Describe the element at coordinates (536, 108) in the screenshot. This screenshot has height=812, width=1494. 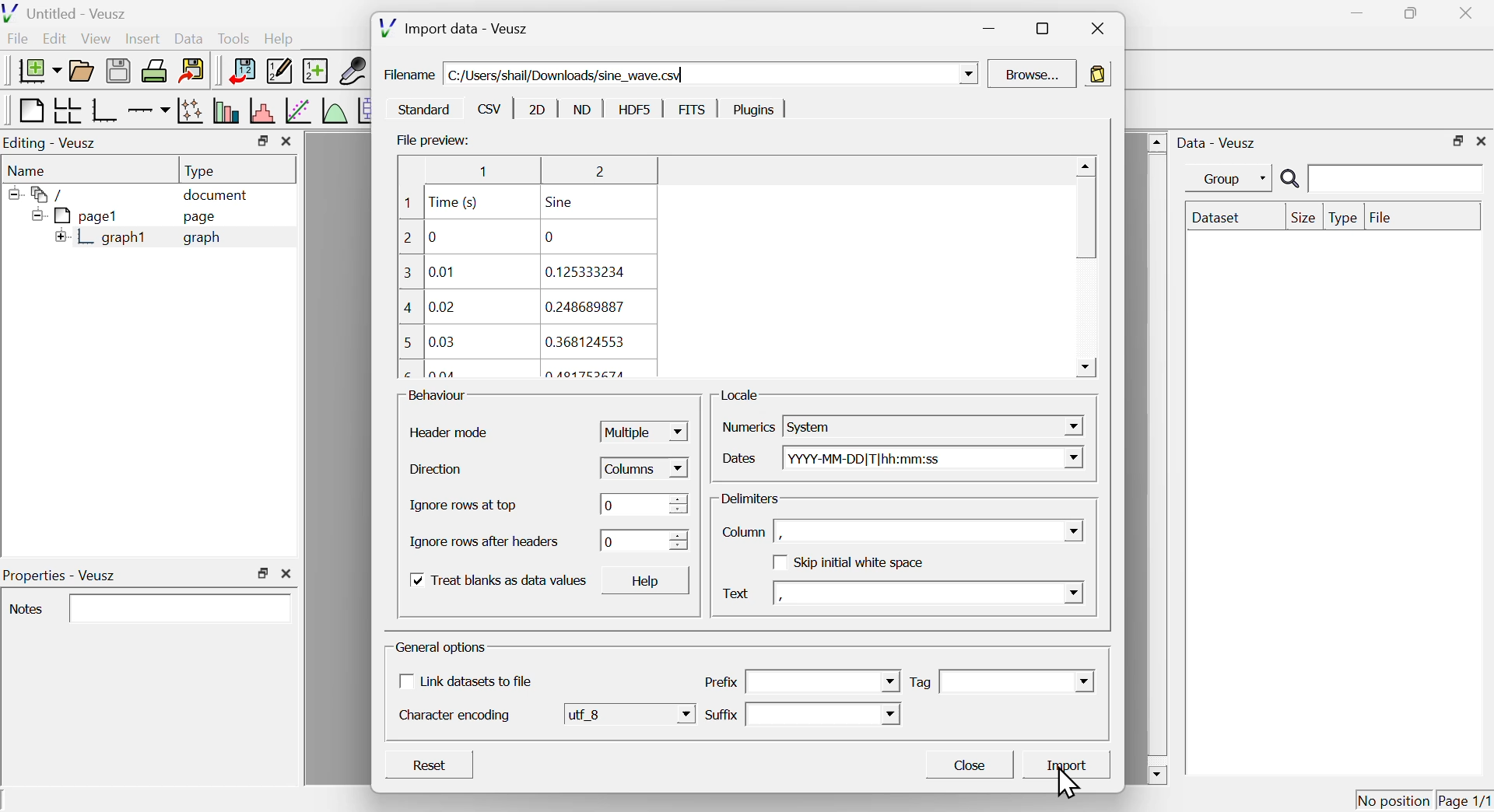
I see `2D` at that location.